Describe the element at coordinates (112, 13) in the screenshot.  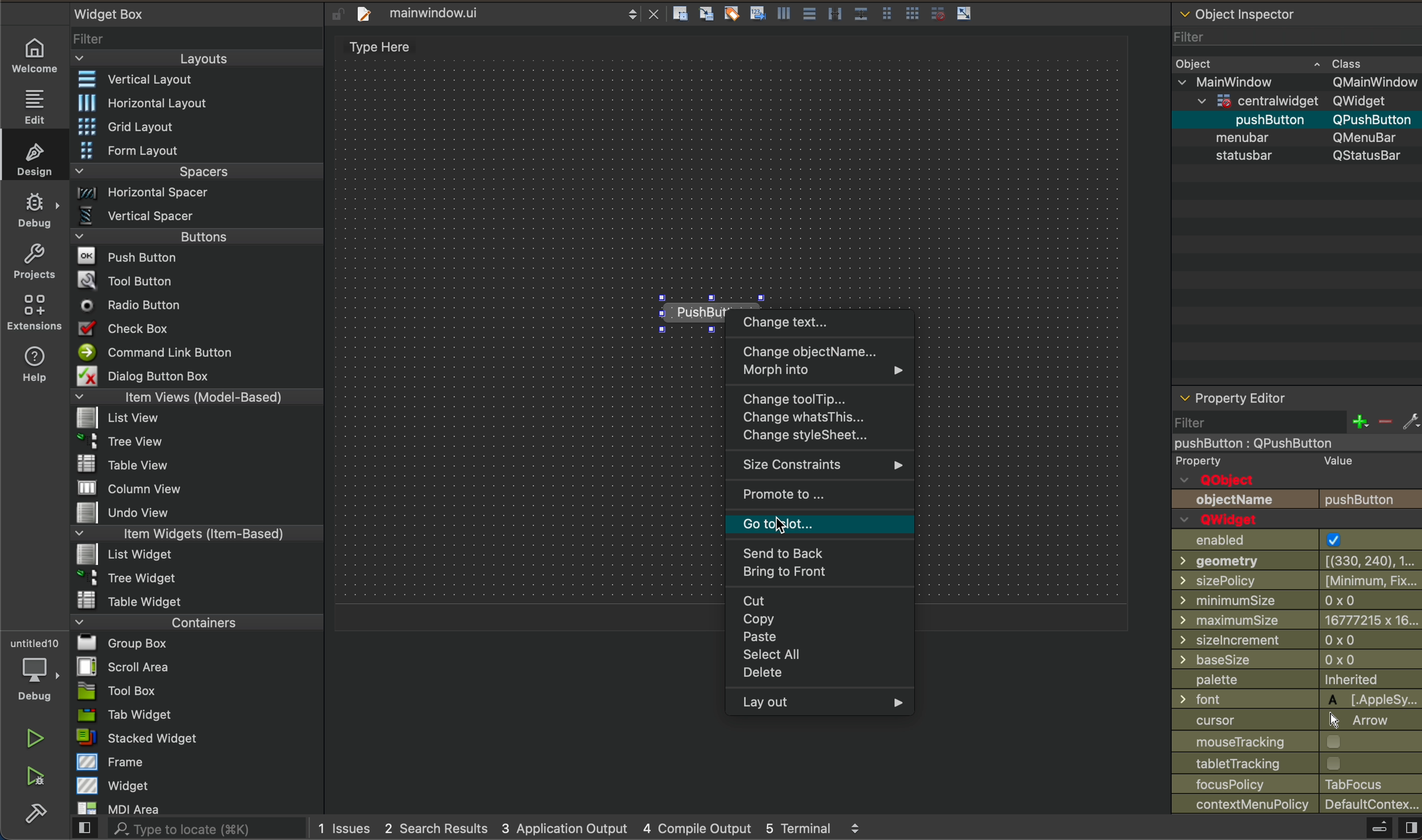
I see `widget box` at that location.